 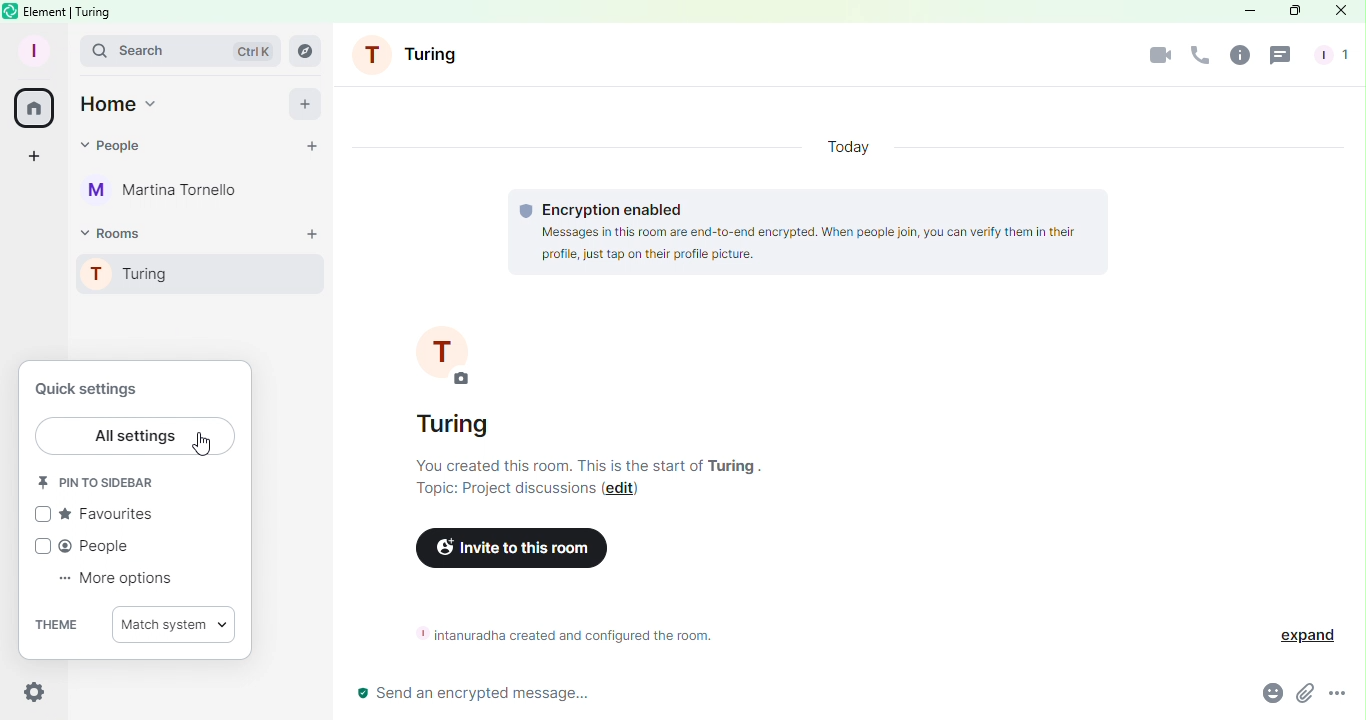 I want to click on Search rooms, so click(x=302, y=49).